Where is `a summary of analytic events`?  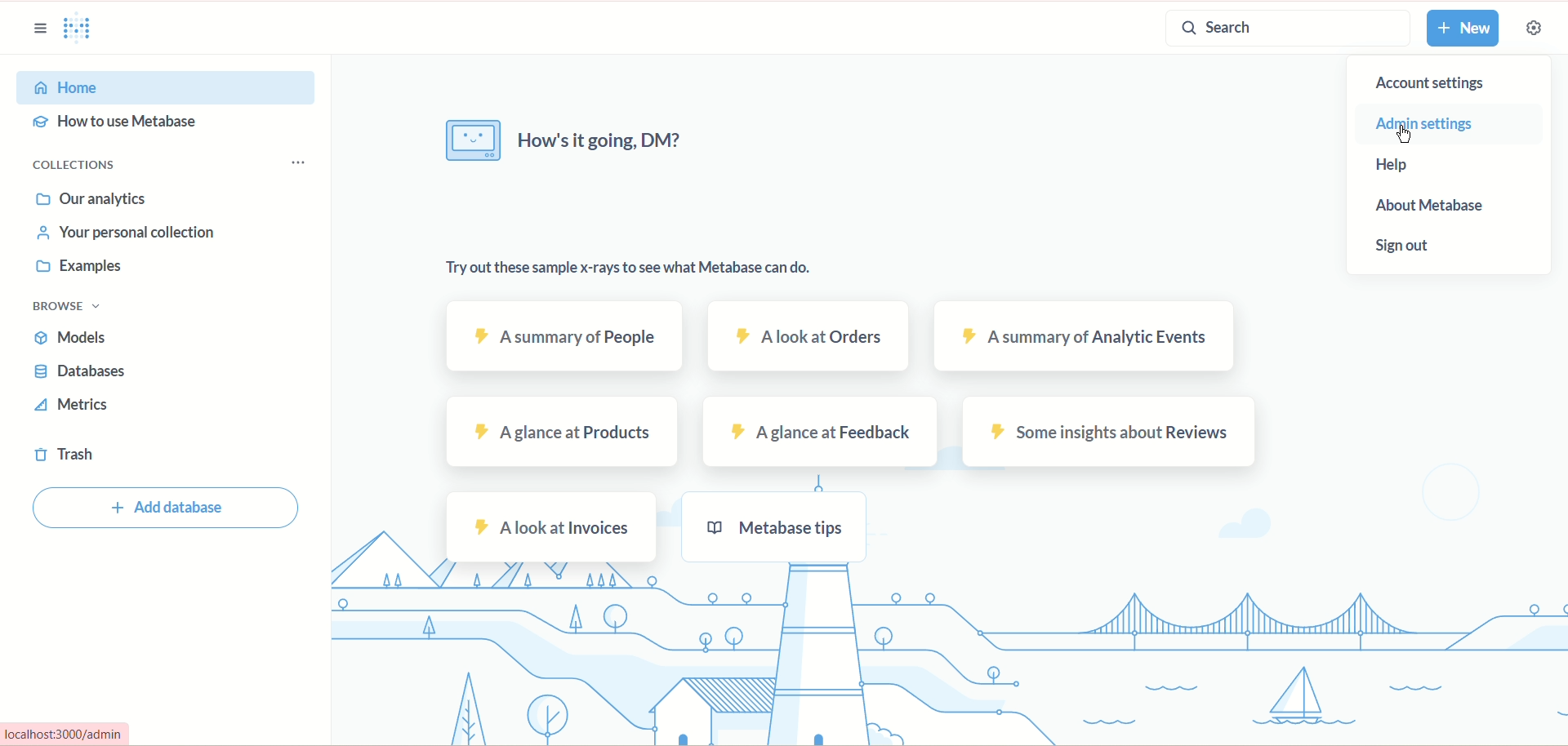 a summary of analytic events is located at coordinates (1076, 336).